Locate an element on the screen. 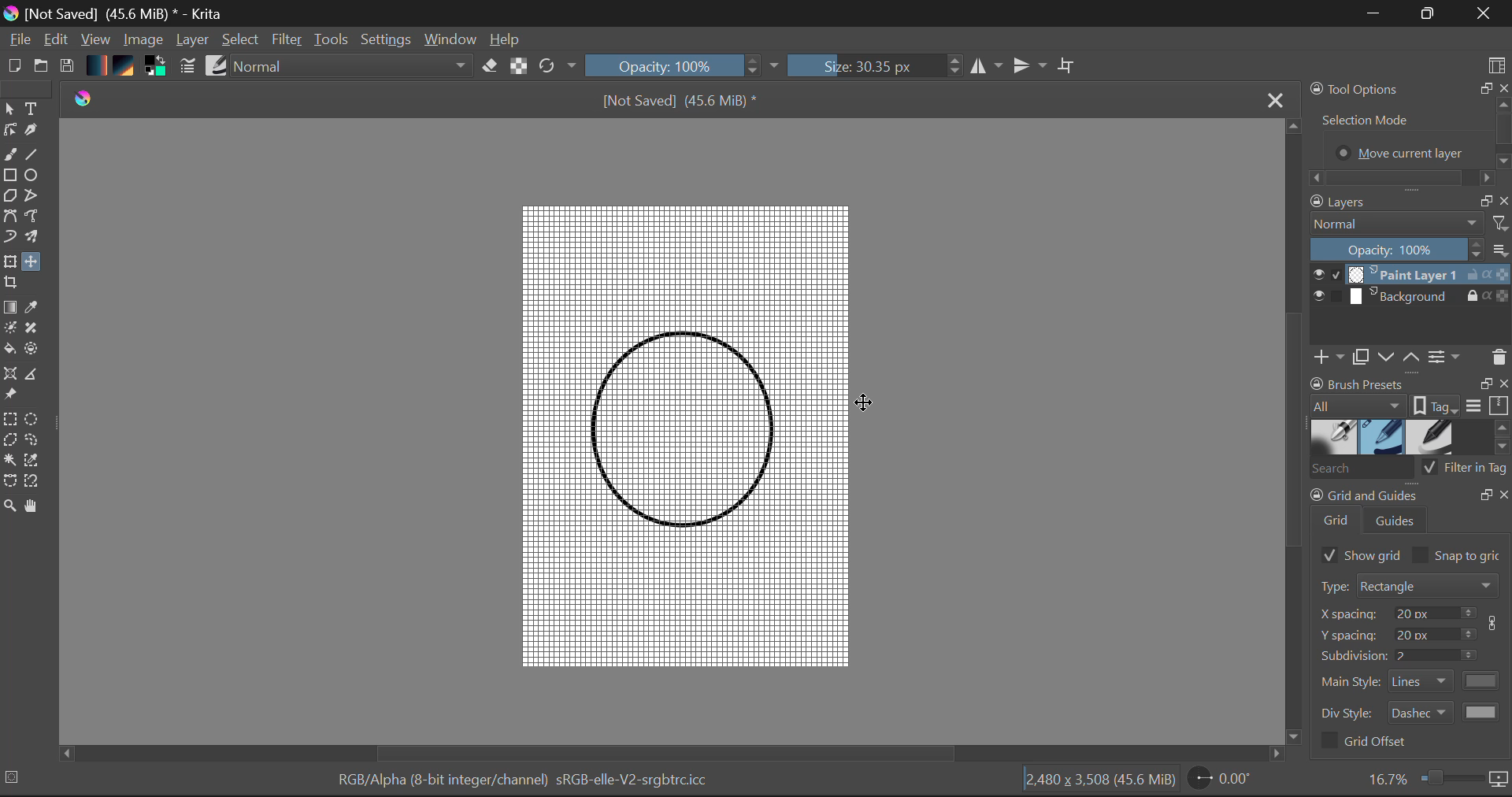  Zoom is located at coordinates (9, 505).